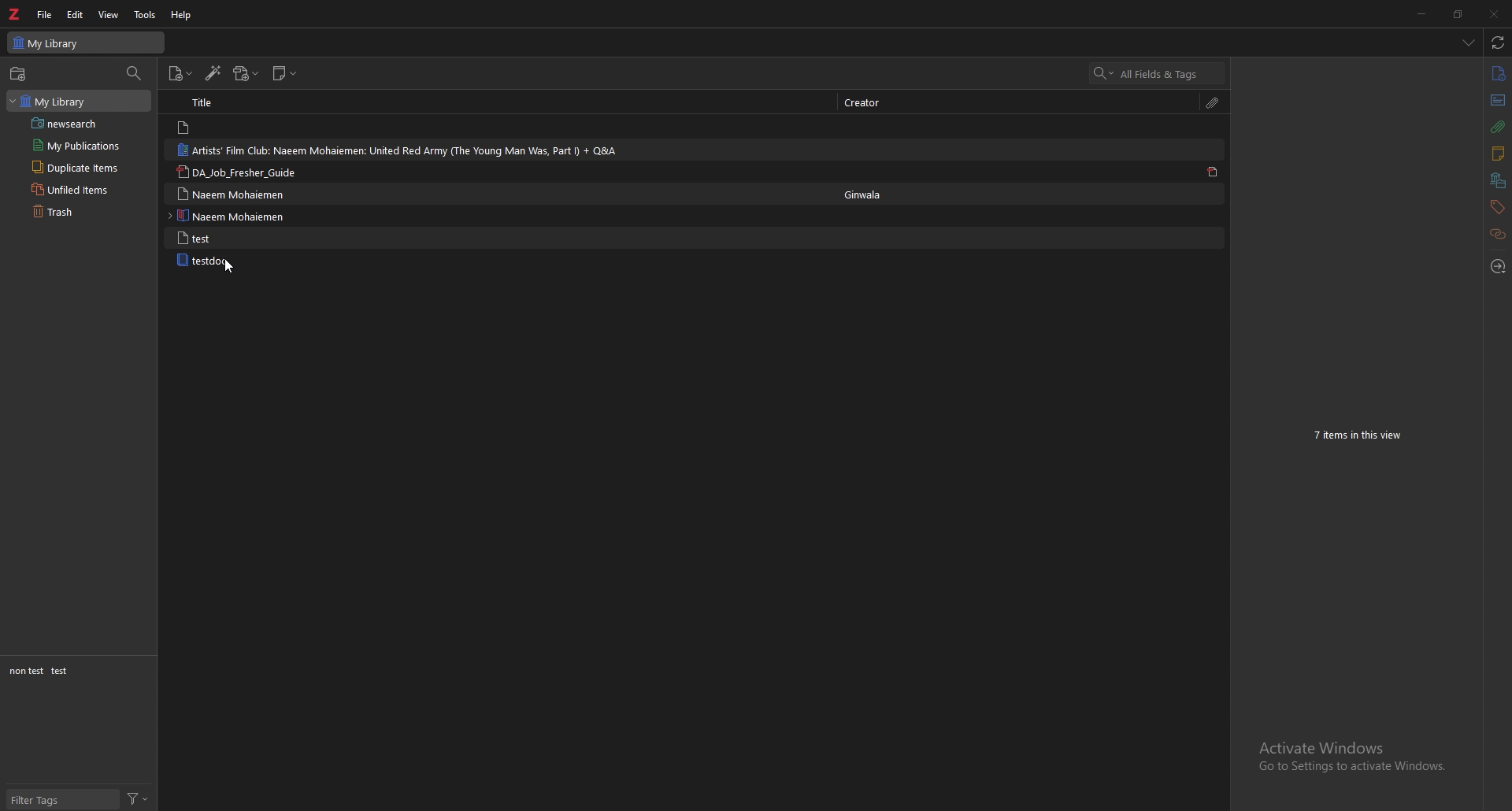 The image size is (1512, 811). Describe the element at coordinates (871, 194) in the screenshot. I see `Ginwala` at that location.